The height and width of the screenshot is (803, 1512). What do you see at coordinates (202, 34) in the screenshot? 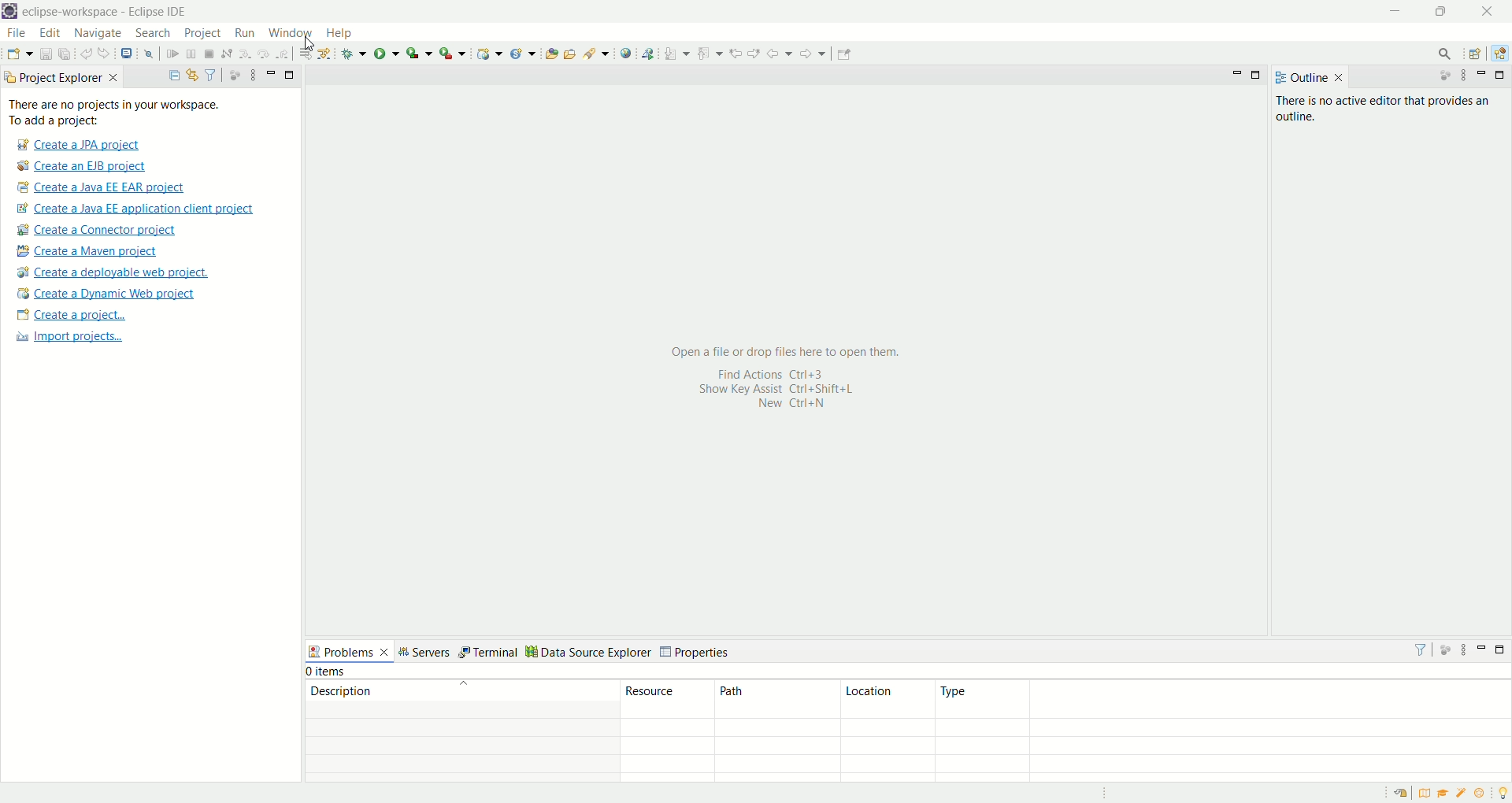
I see `project` at bounding box center [202, 34].